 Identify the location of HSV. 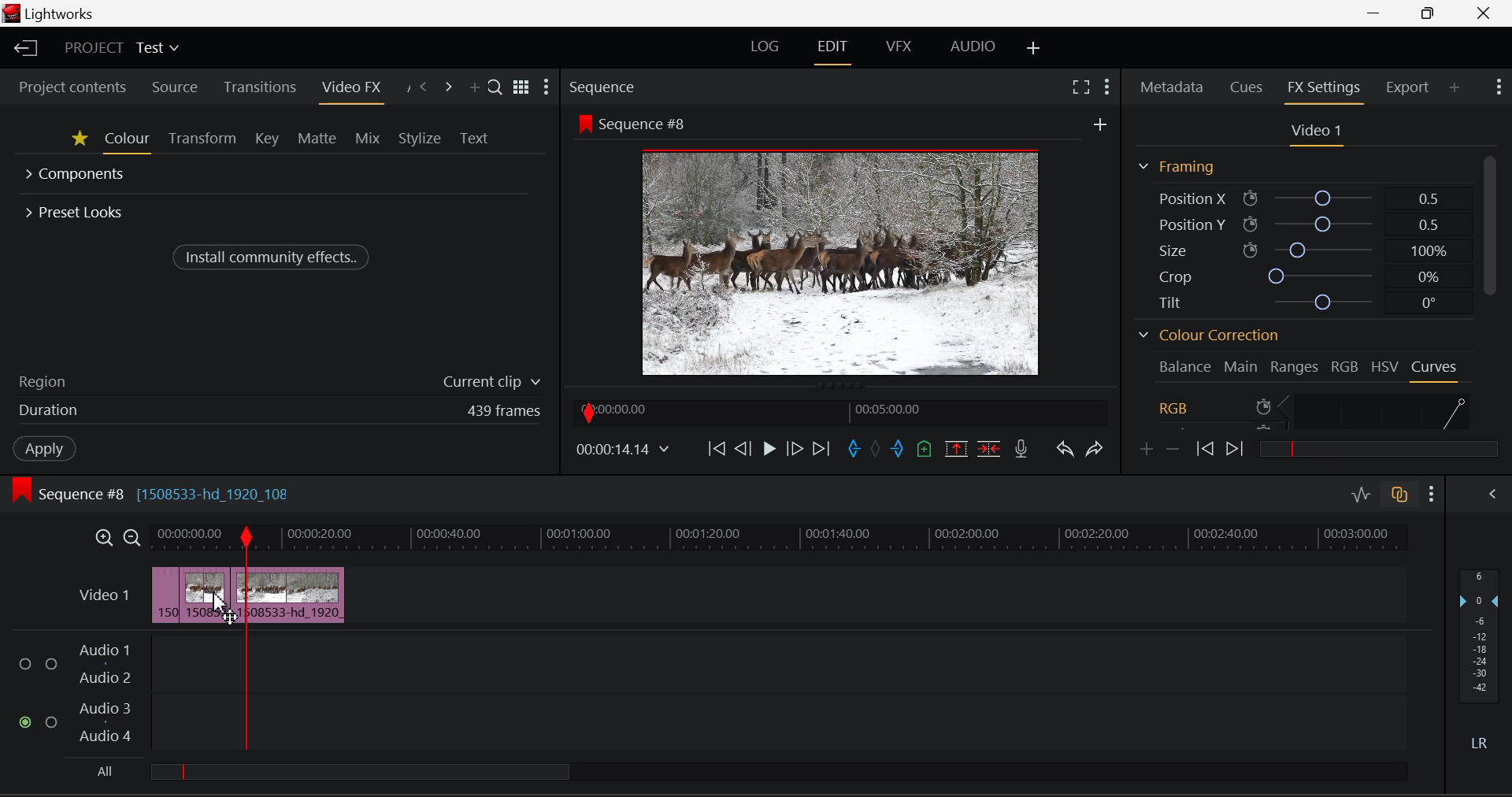
(1387, 365).